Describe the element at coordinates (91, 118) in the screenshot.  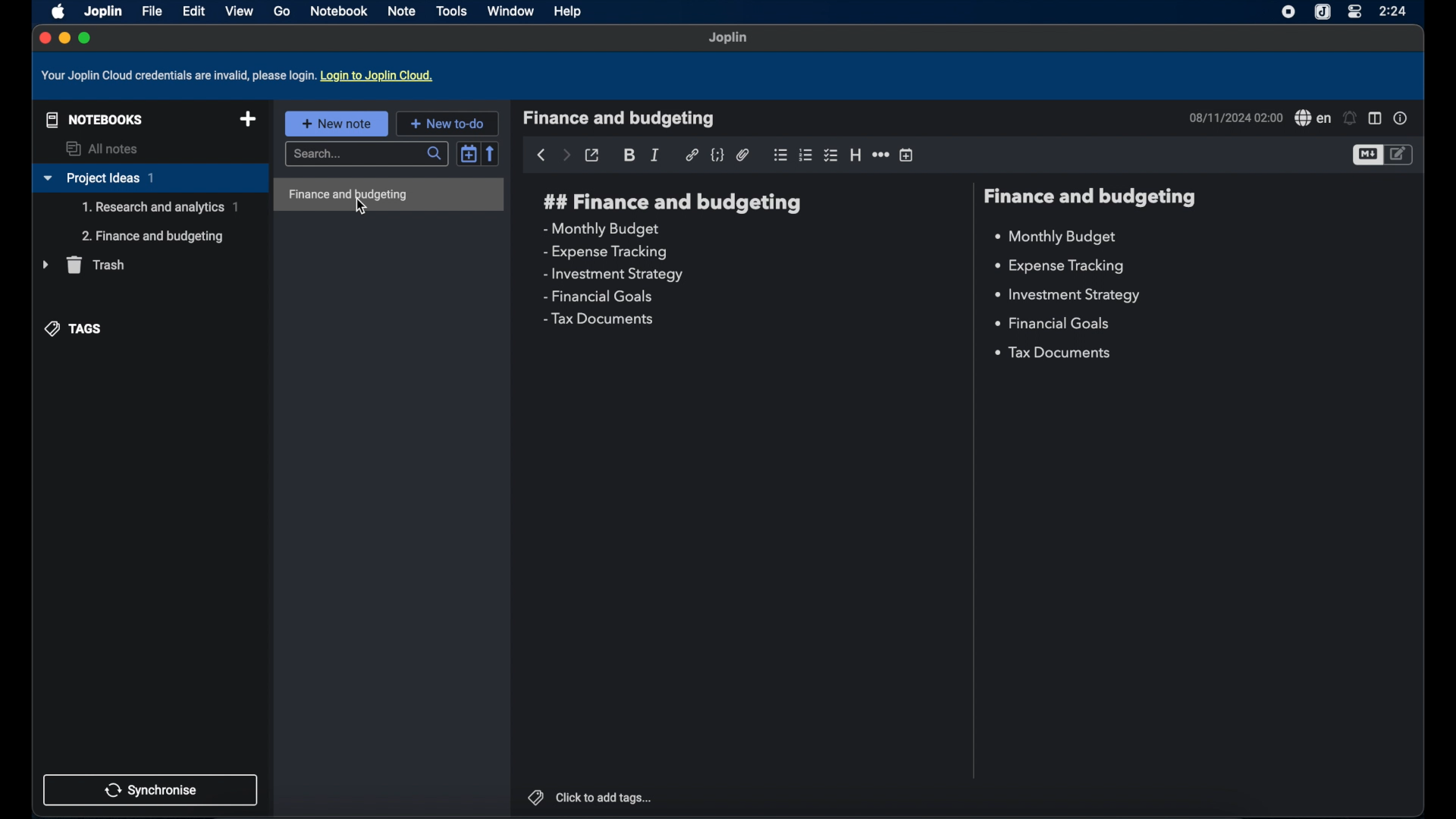
I see `notebooks` at that location.